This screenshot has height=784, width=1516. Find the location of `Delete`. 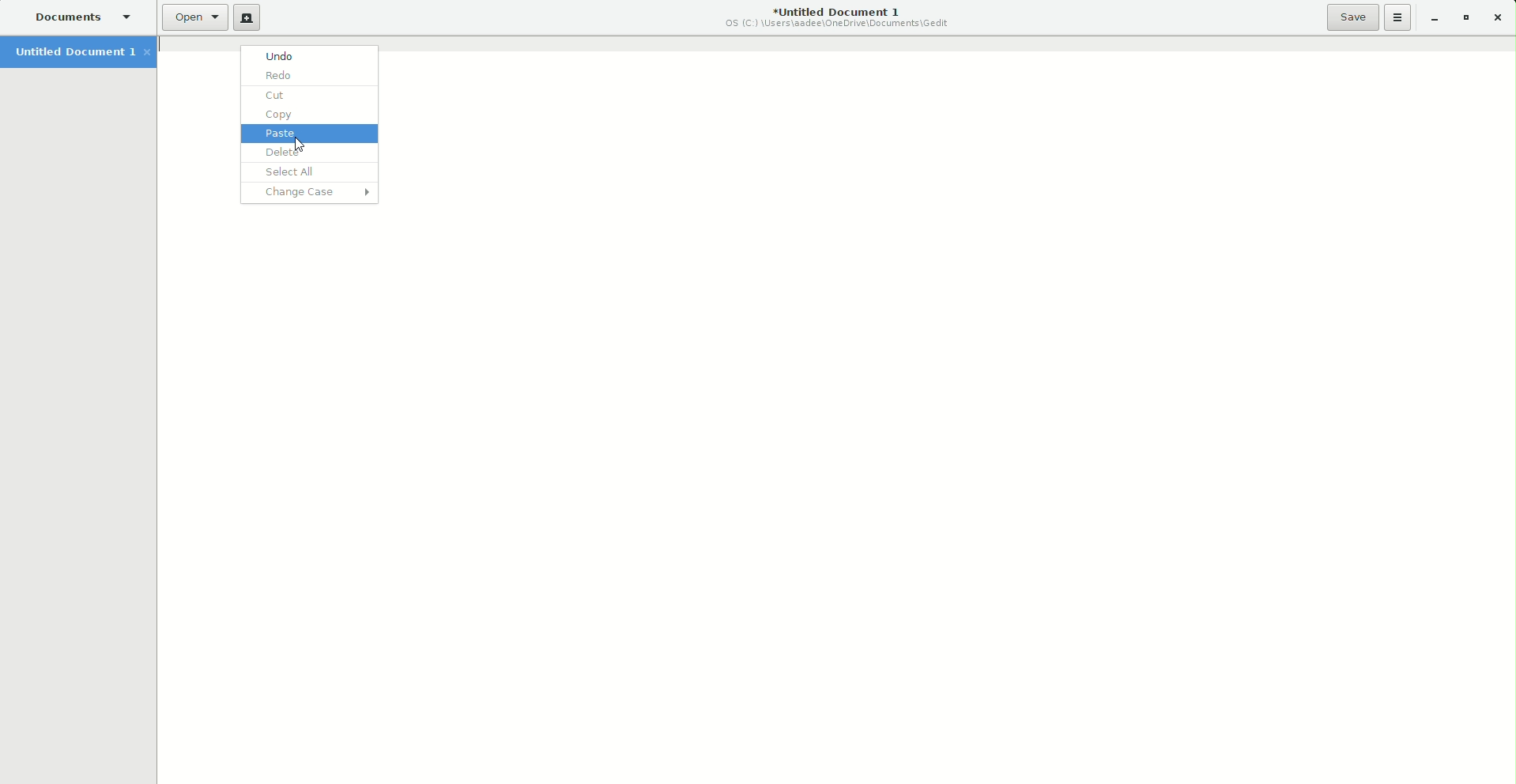

Delete is located at coordinates (307, 153).